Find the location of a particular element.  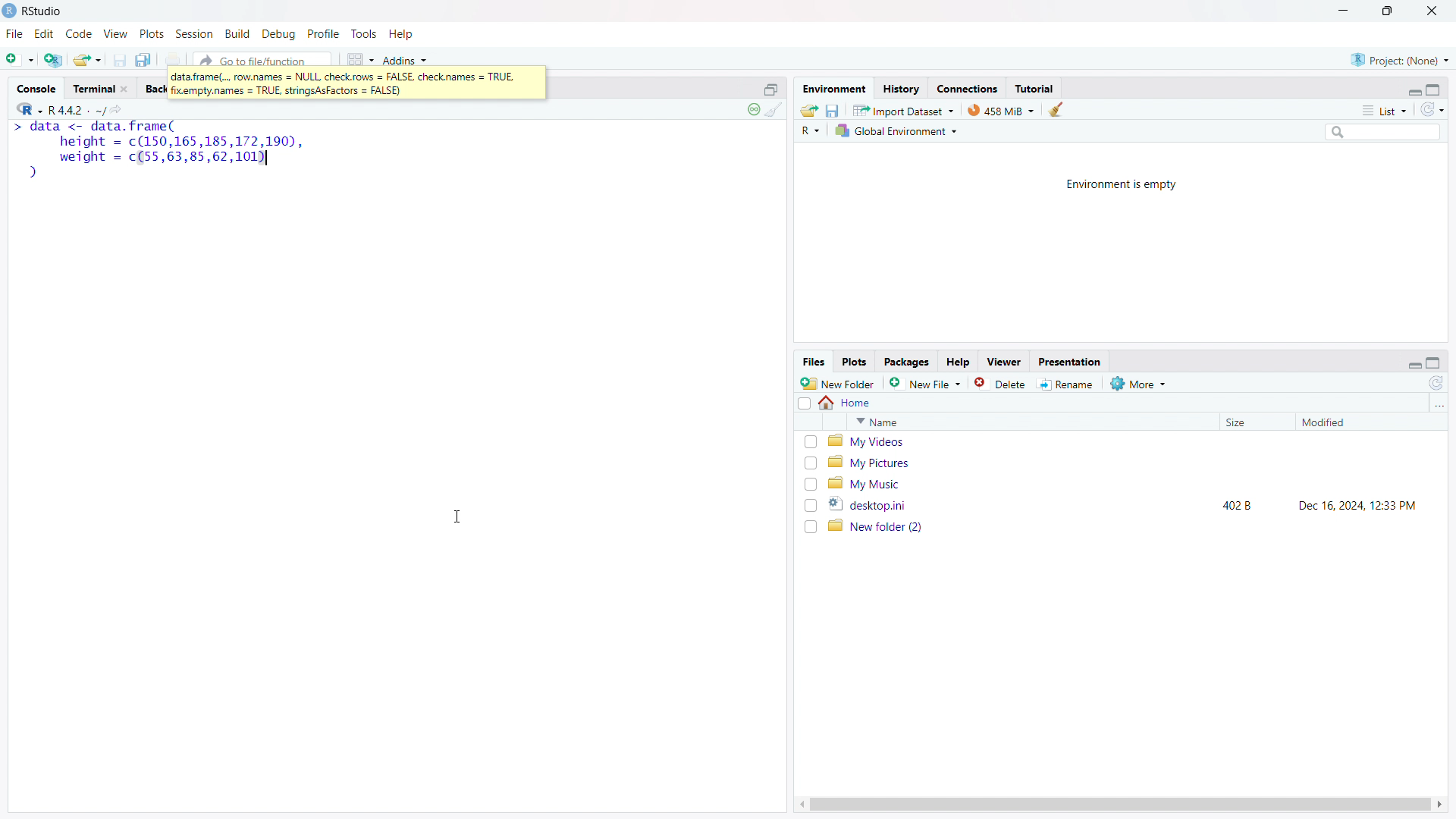

new folder (2) is located at coordinates (1131, 526).